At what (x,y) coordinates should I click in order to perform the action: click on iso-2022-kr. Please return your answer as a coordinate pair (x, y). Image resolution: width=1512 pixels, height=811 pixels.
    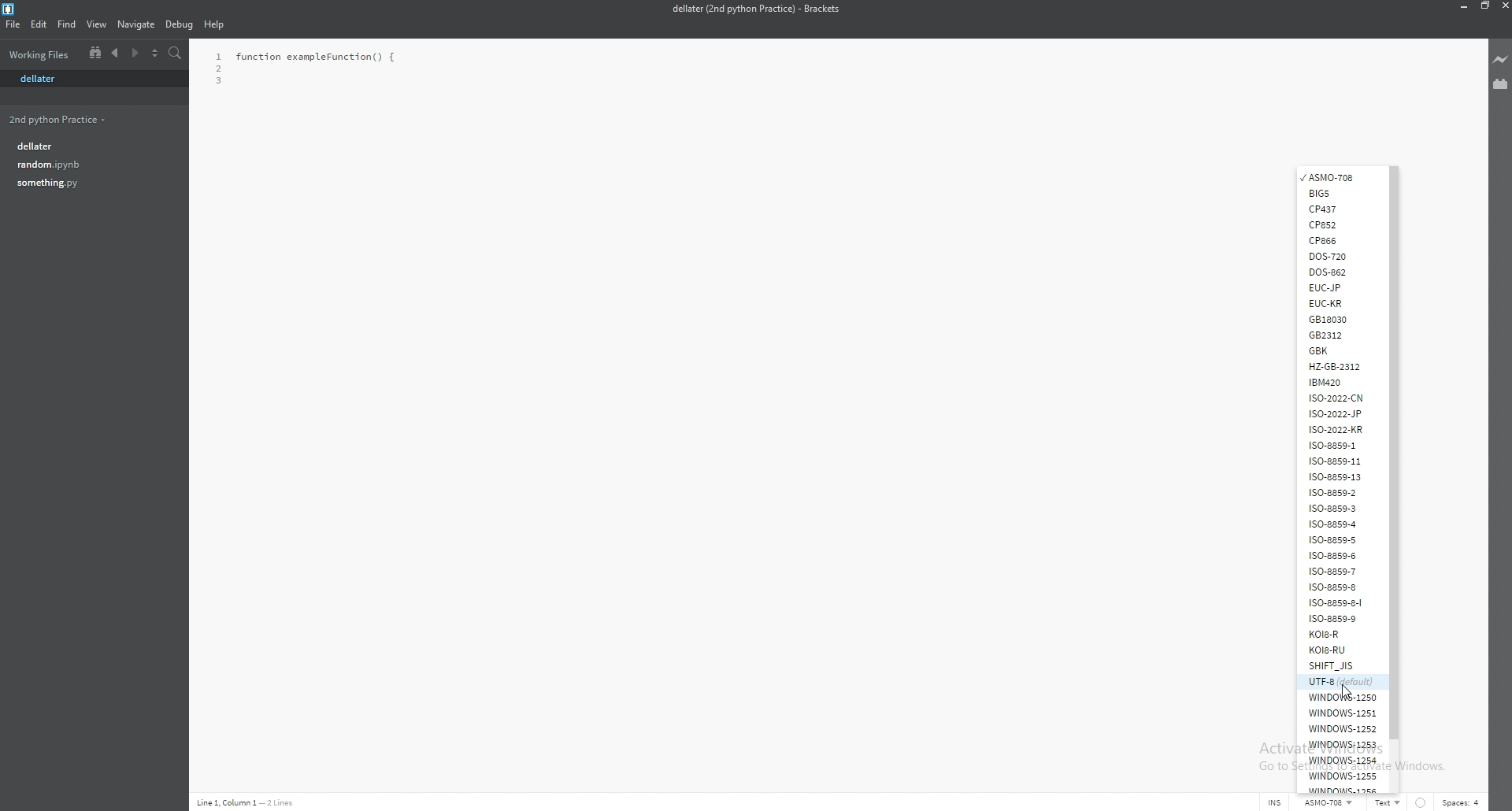
    Looking at the image, I should click on (1341, 429).